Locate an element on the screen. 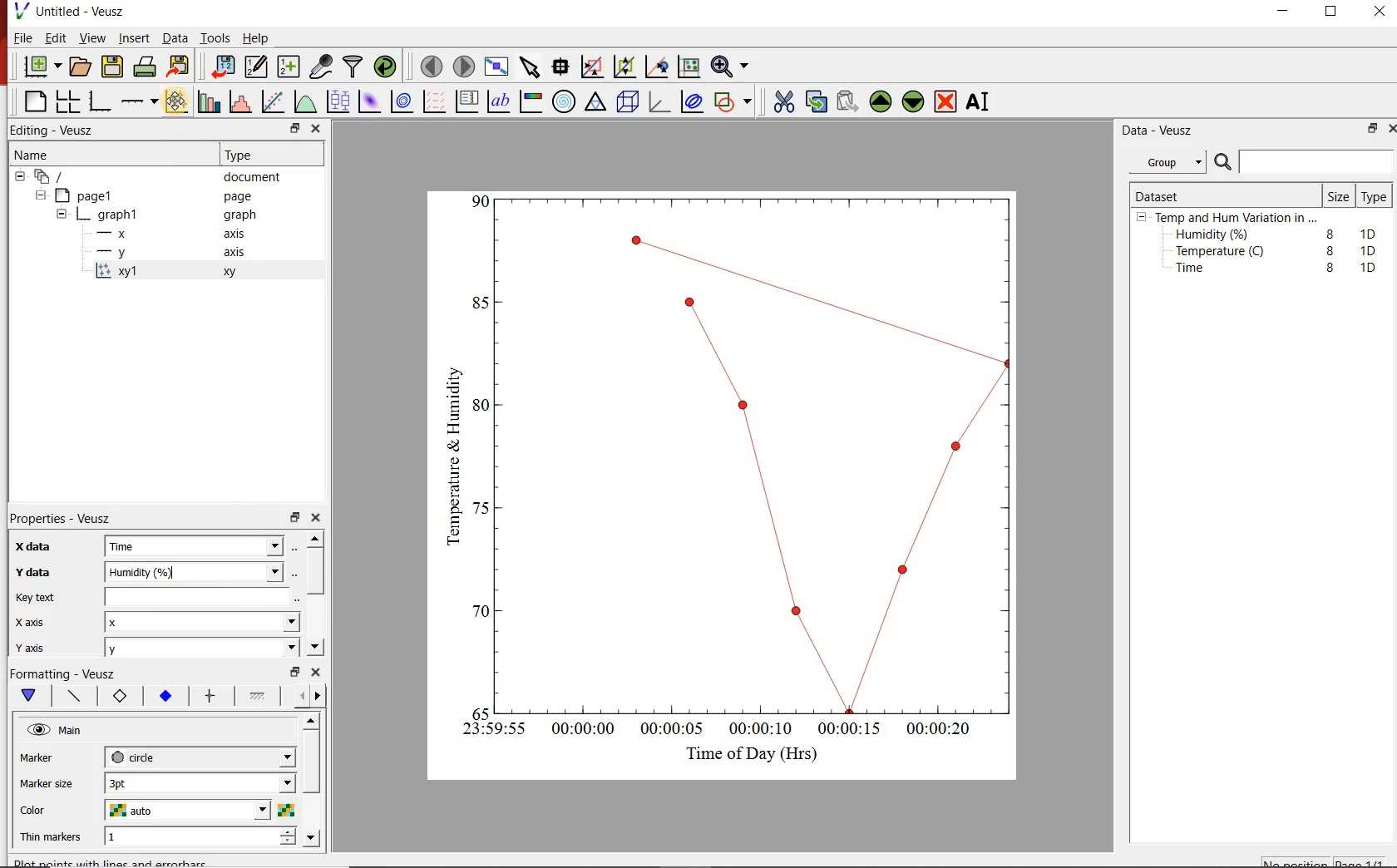 This screenshot has width=1397, height=868. polar graph is located at coordinates (565, 103).